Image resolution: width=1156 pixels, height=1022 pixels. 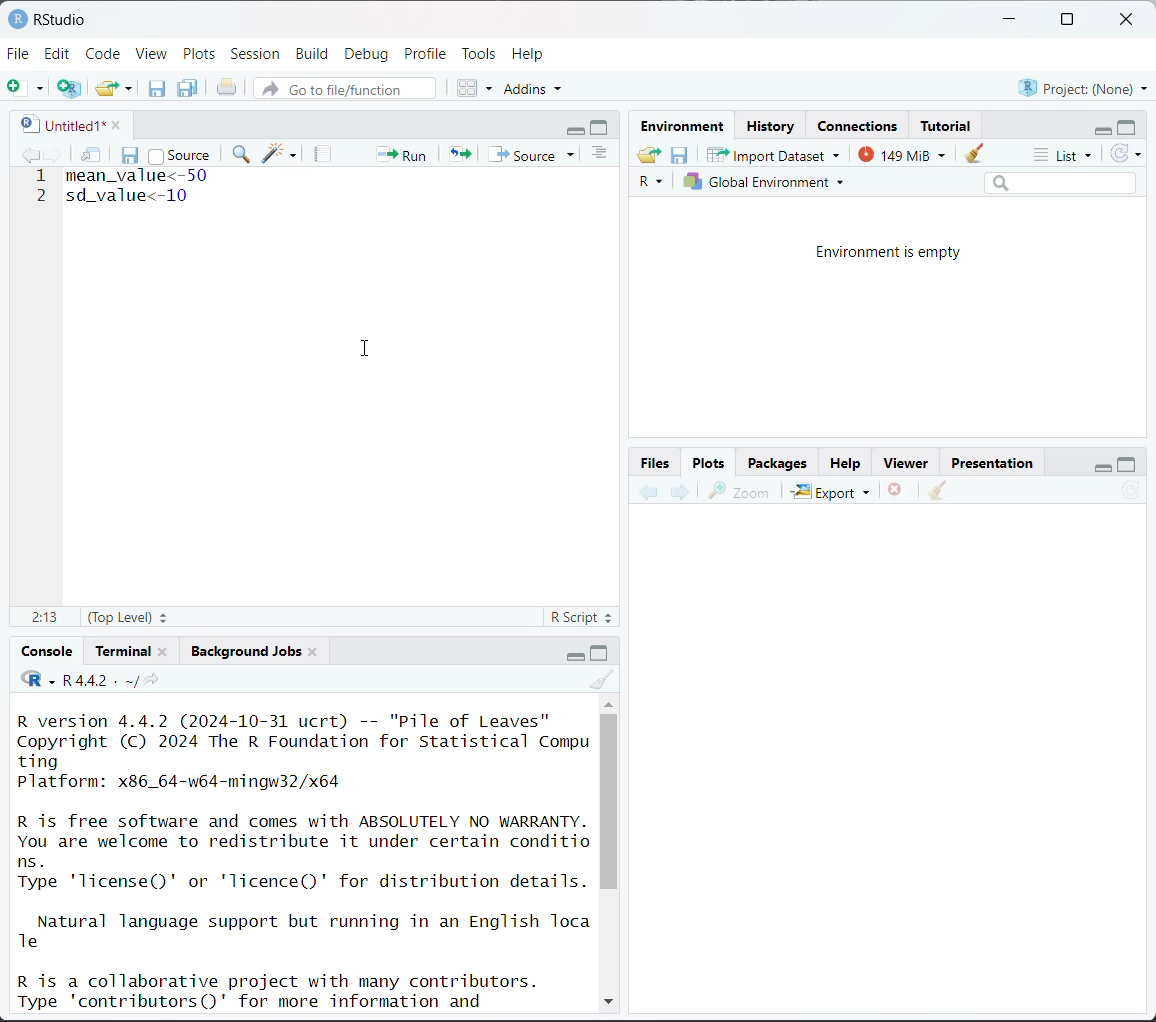 What do you see at coordinates (1127, 463) in the screenshot?
I see `maximize` at bounding box center [1127, 463].